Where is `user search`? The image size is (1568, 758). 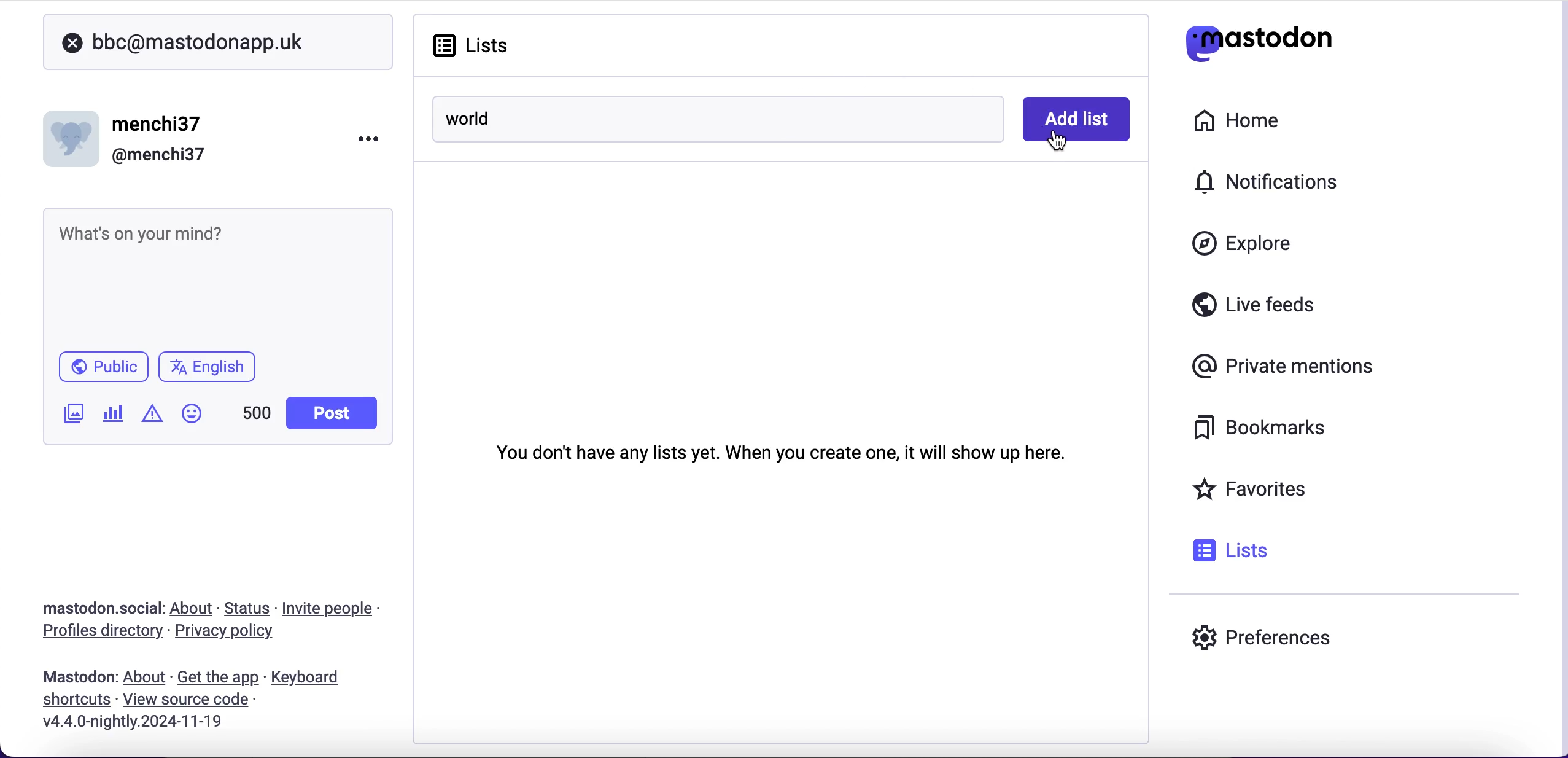
user search is located at coordinates (202, 40).